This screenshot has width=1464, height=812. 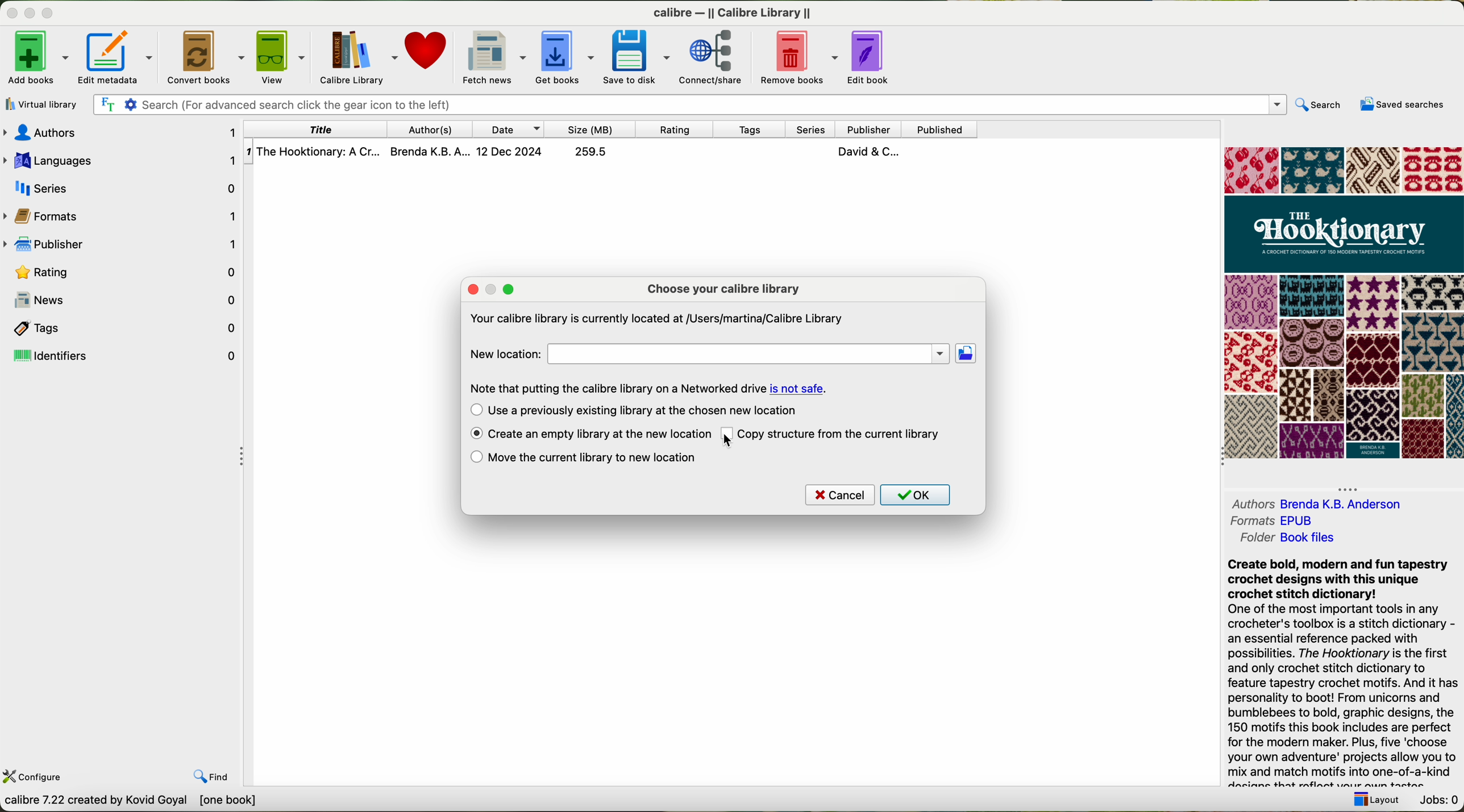 What do you see at coordinates (722, 290) in the screenshot?
I see `choose your calibre library` at bounding box center [722, 290].